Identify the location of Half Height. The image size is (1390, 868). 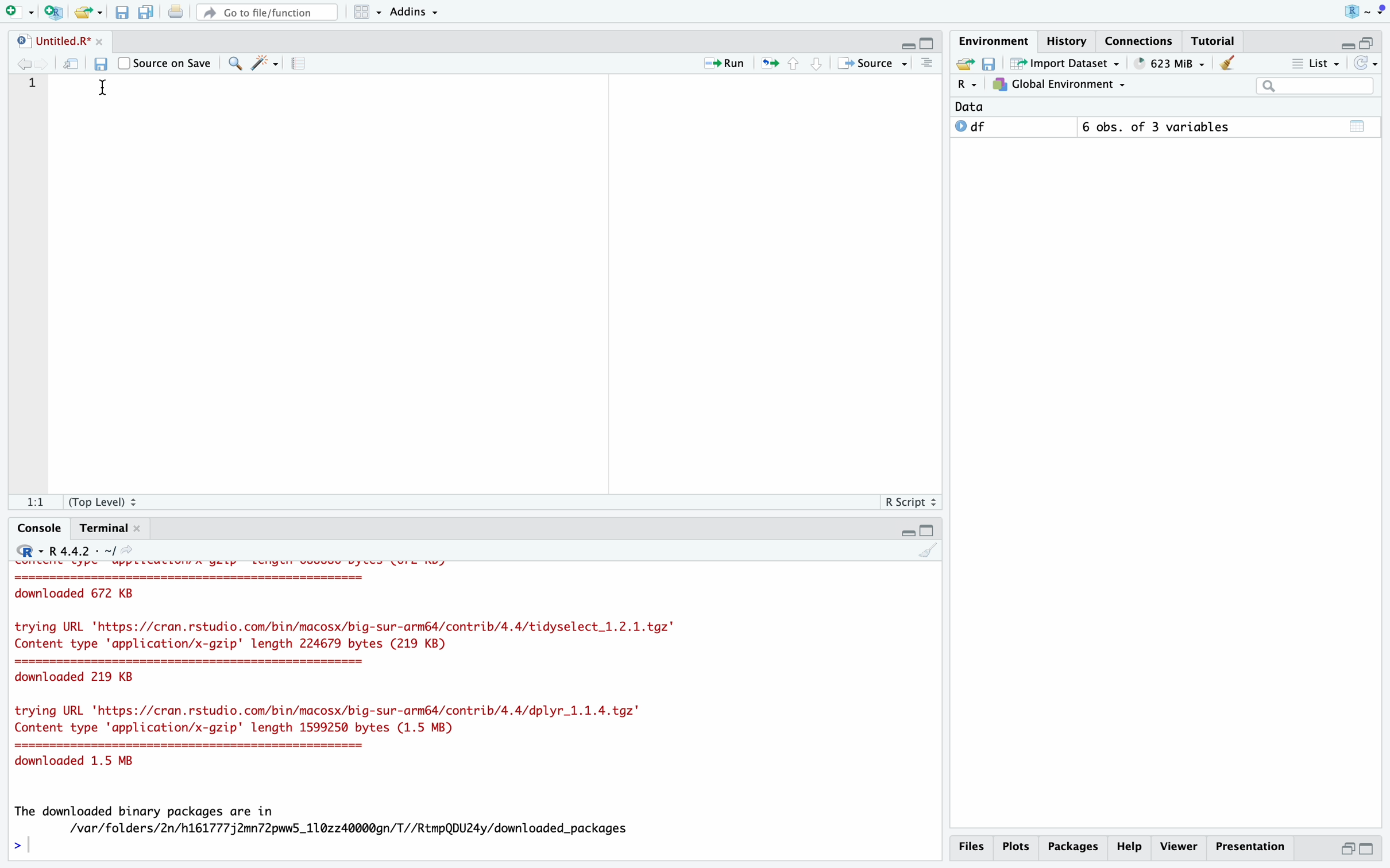
(1345, 848).